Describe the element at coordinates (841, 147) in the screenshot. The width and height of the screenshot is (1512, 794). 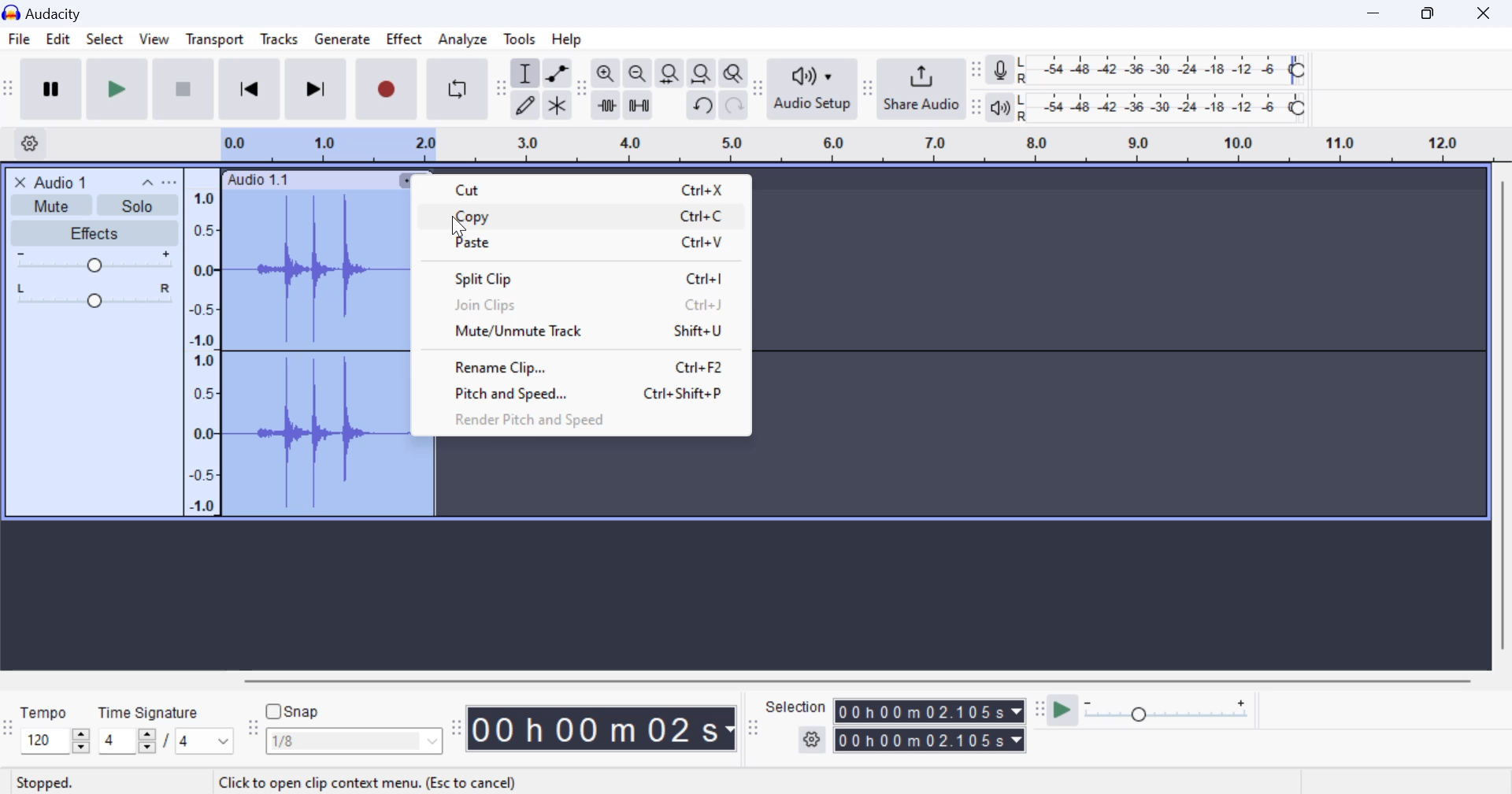
I see `Clip Timeline` at that location.